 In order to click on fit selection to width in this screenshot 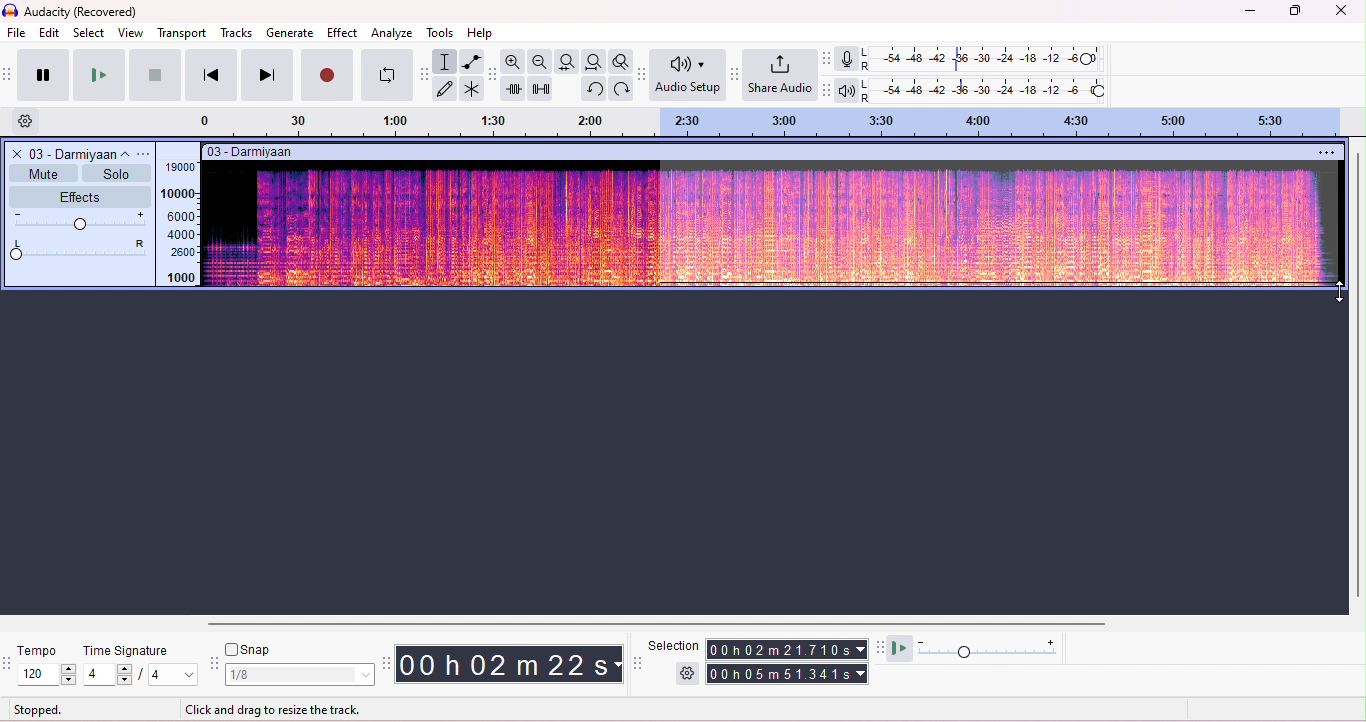, I will do `click(569, 62)`.